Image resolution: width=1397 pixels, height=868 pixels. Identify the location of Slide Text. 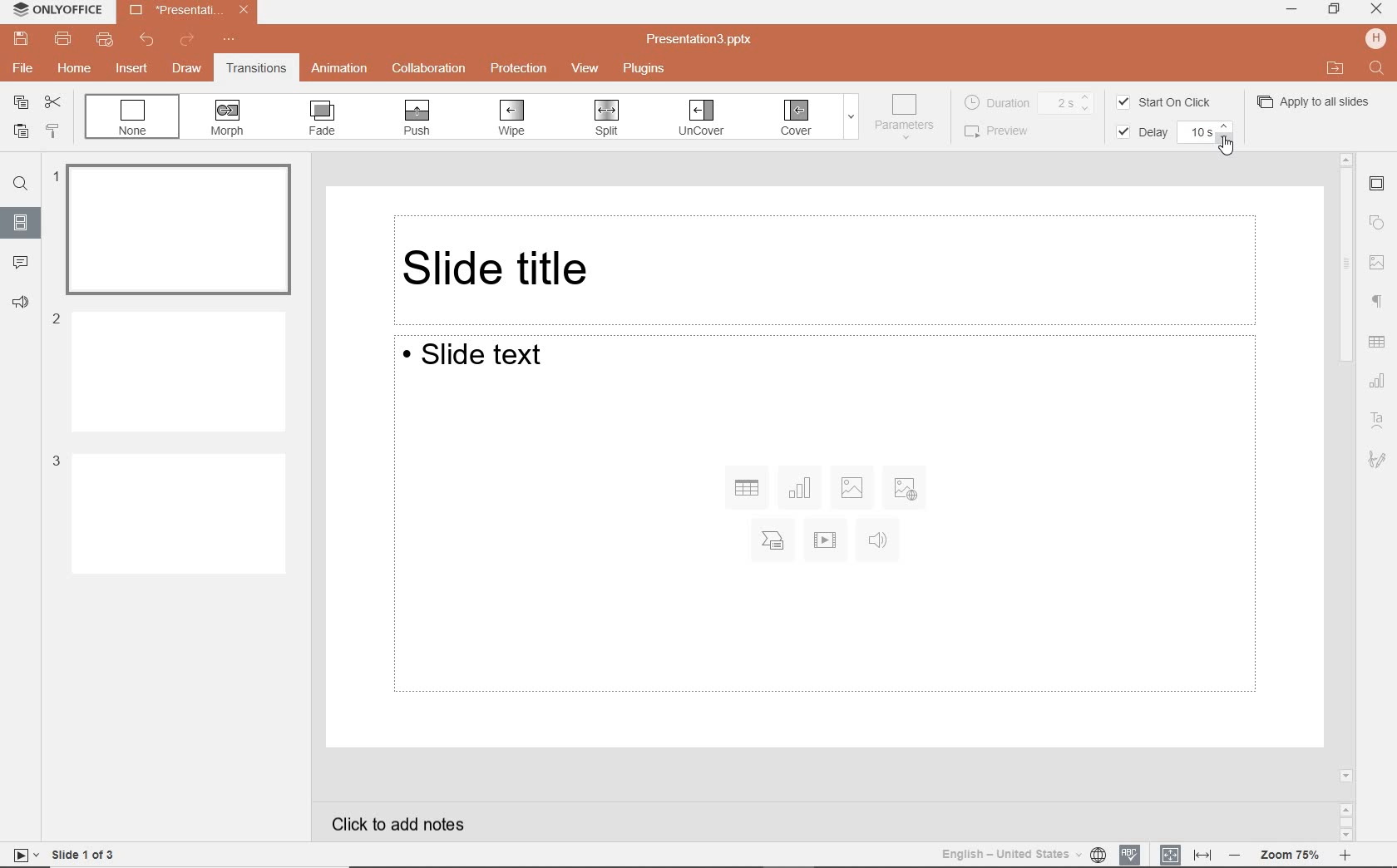
(822, 515).